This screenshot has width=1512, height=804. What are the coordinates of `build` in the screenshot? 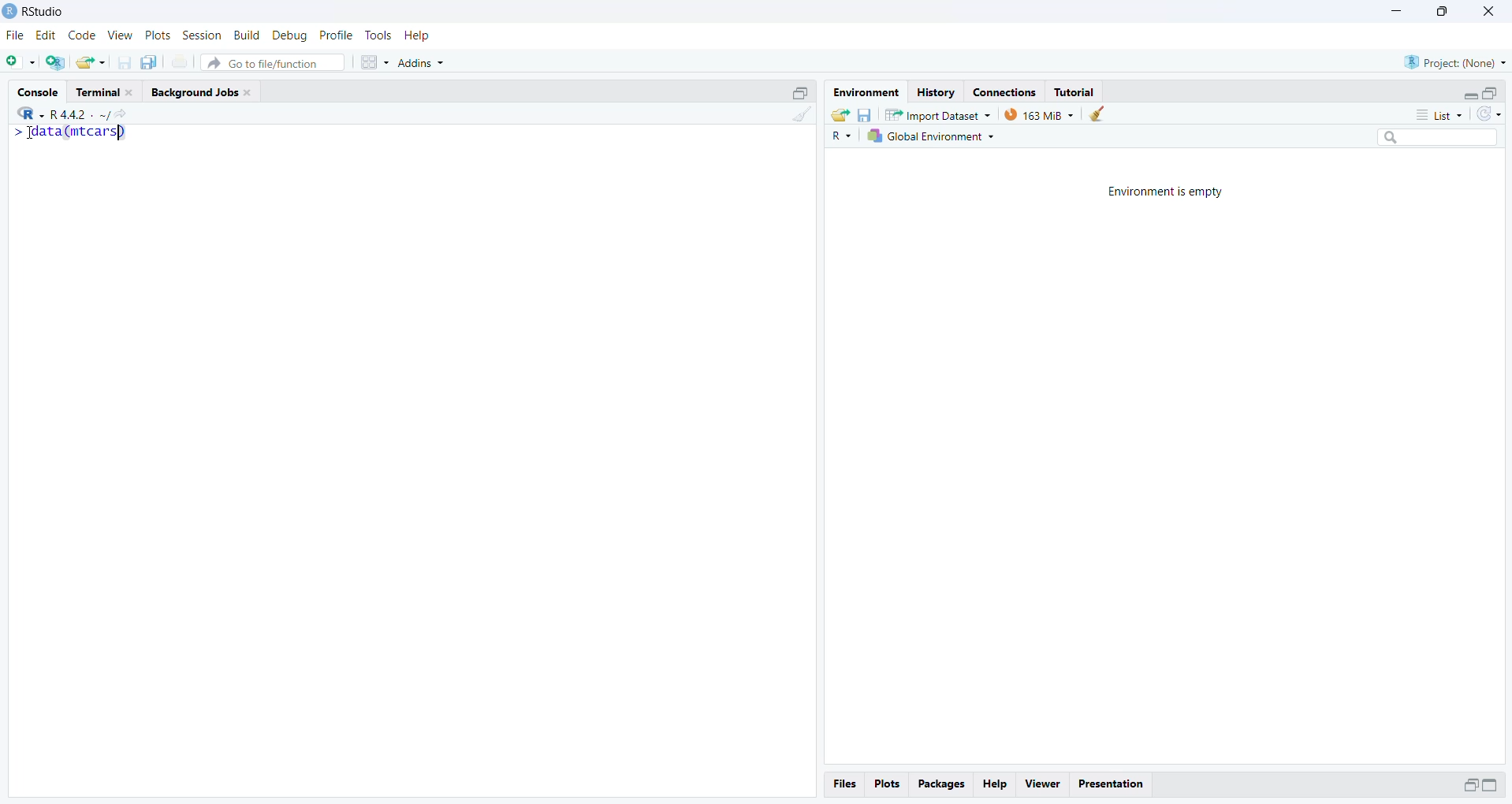 It's located at (247, 35).